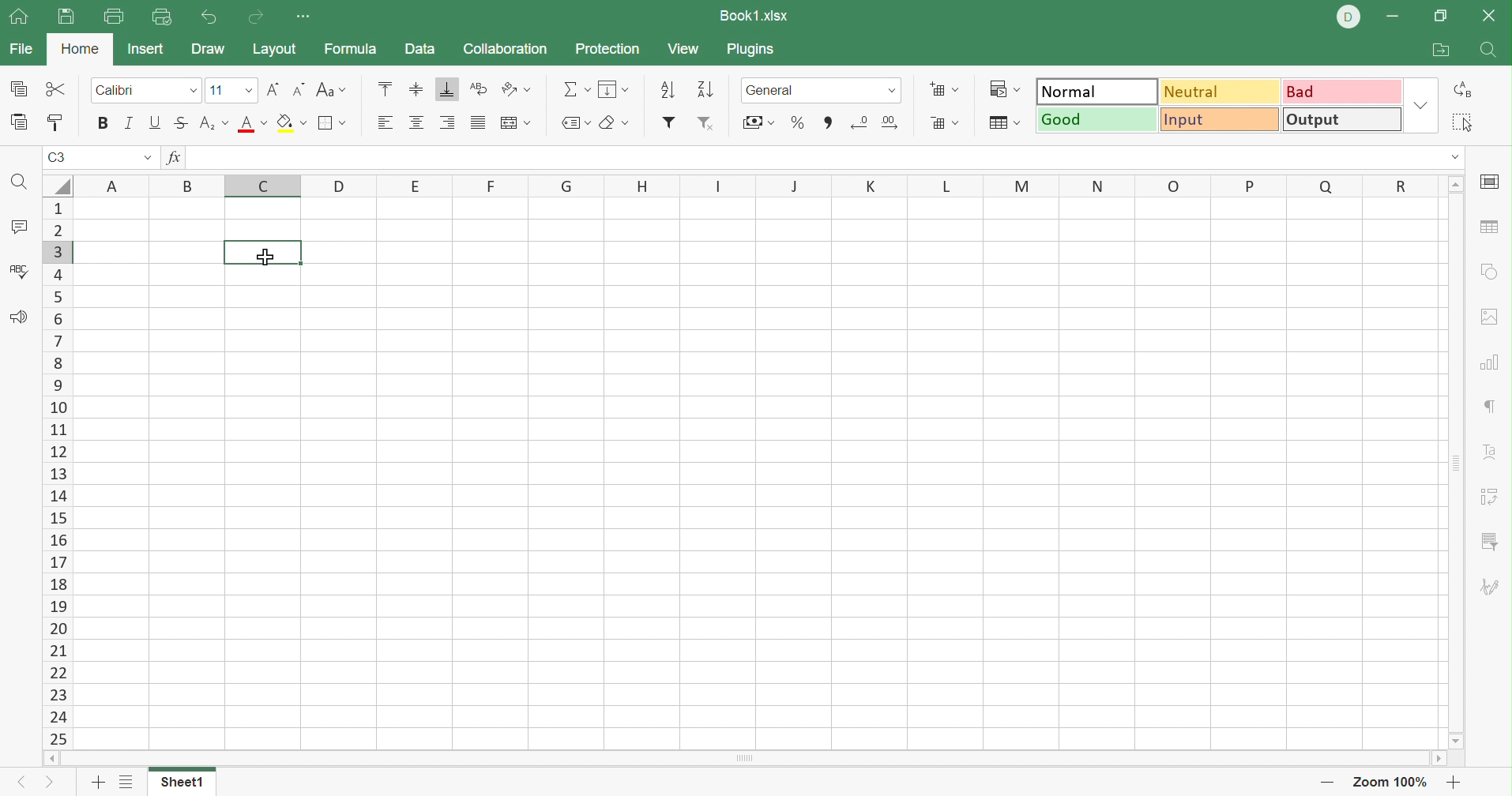  I want to click on fx, so click(178, 157).